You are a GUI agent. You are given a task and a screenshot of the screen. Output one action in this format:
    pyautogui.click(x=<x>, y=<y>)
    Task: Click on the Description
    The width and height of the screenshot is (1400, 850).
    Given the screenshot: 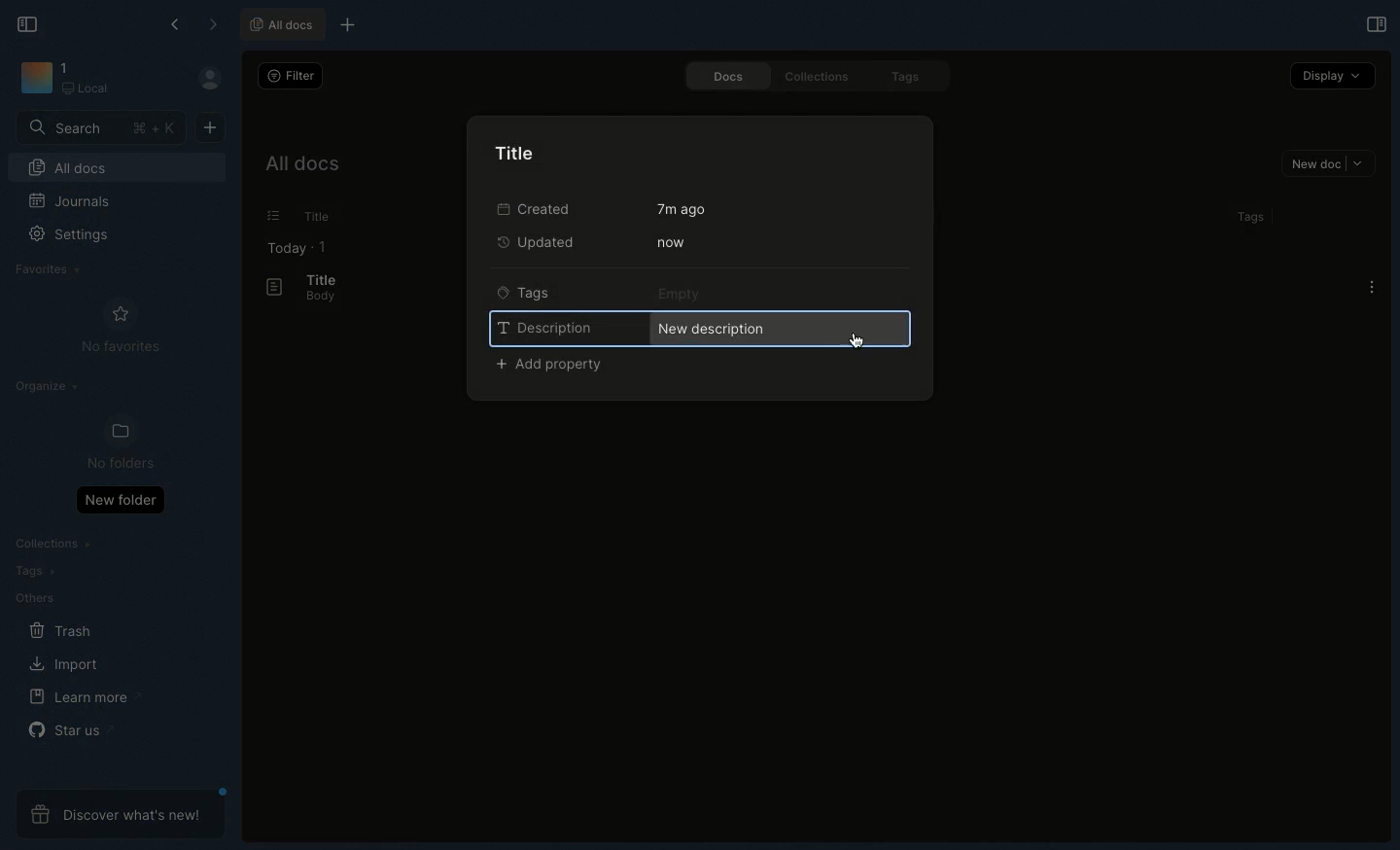 What is the action you would take?
    pyautogui.click(x=544, y=327)
    